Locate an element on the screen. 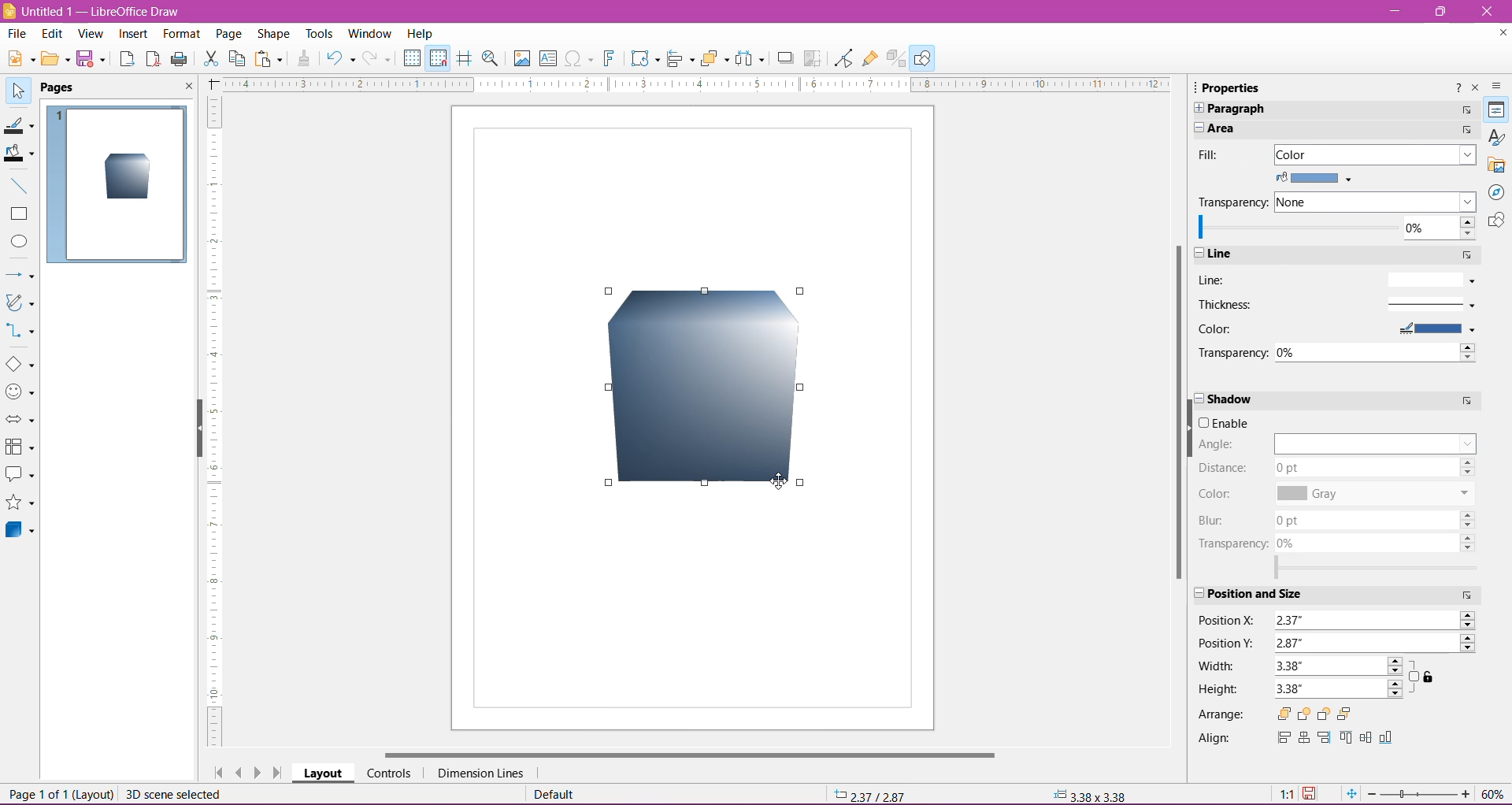 The height and width of the screenshot is (805, 1512). Toggle Extrusion is located at coordinates (897, 58).